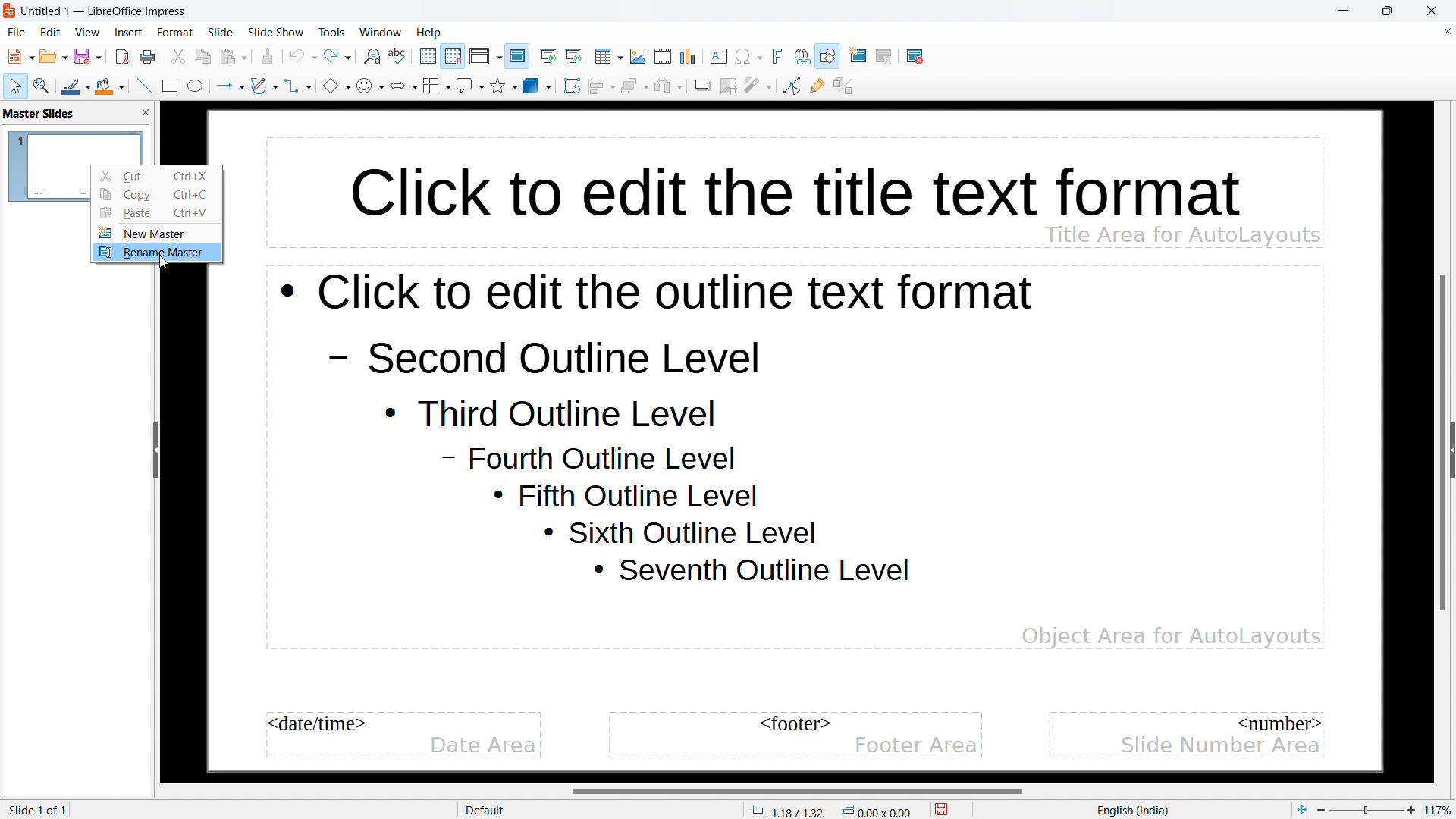 Image resolution: width=1456 pixels, height=819 pixels. Describe the element at coordinates (370, 86) in the screenshot. I see `symbol shapes` at that location.